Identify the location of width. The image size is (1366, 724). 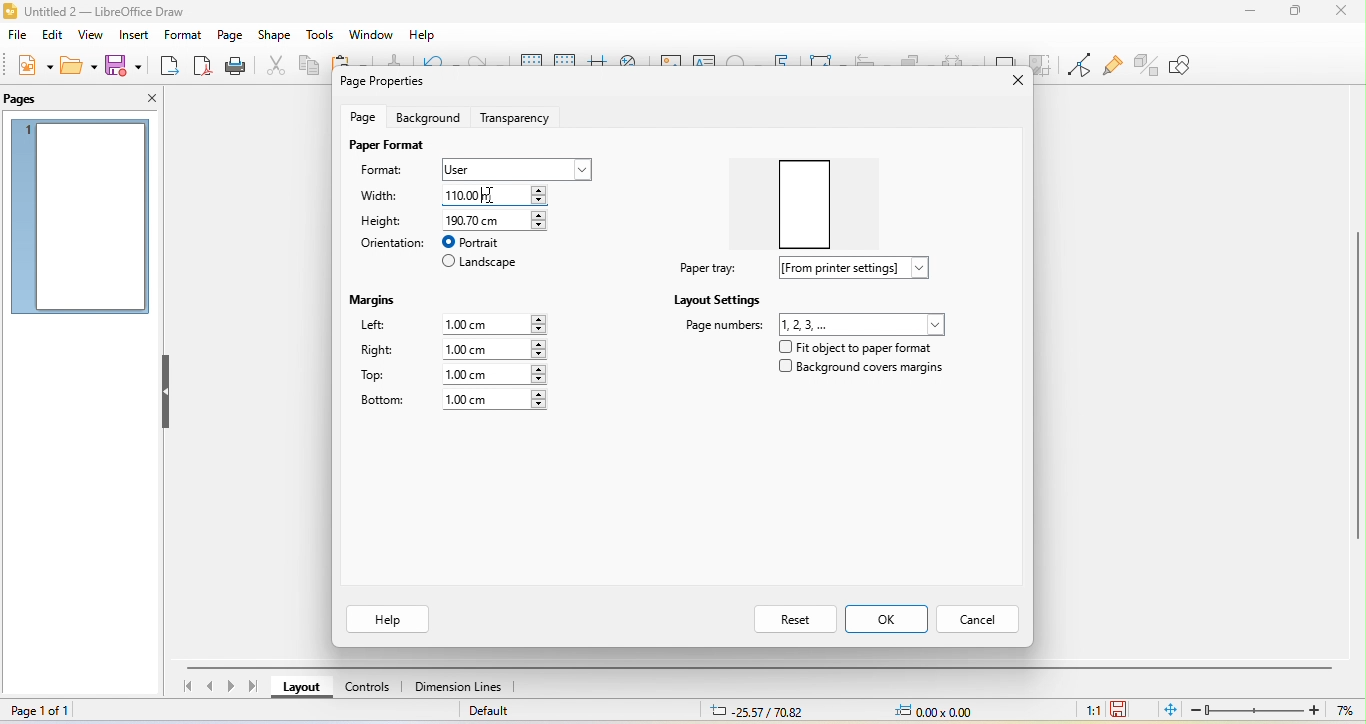
(386, 197).